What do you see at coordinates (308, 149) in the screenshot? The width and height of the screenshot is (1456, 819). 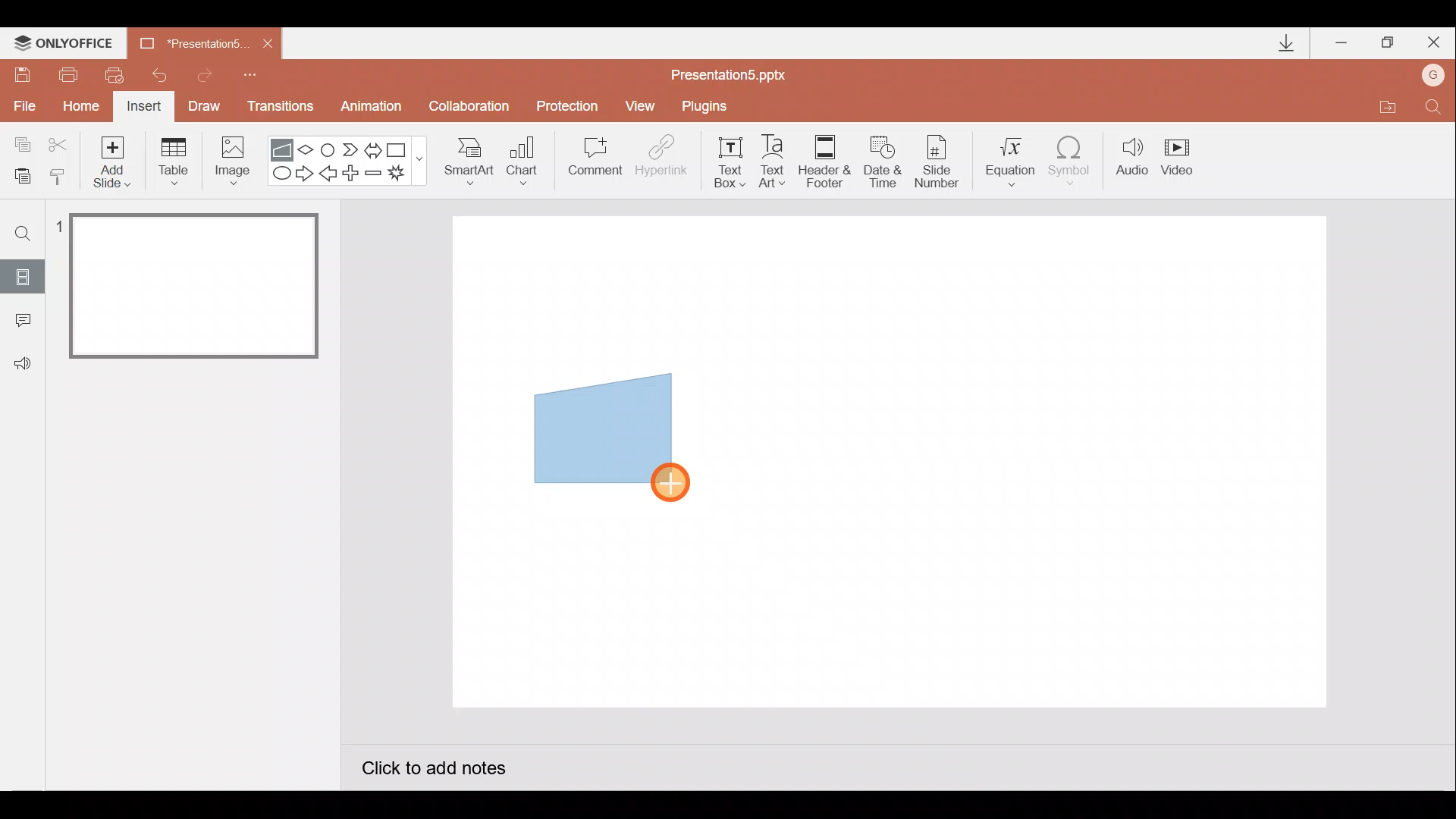 I see `Flow chart-decision` at bounding box center [308, 149].